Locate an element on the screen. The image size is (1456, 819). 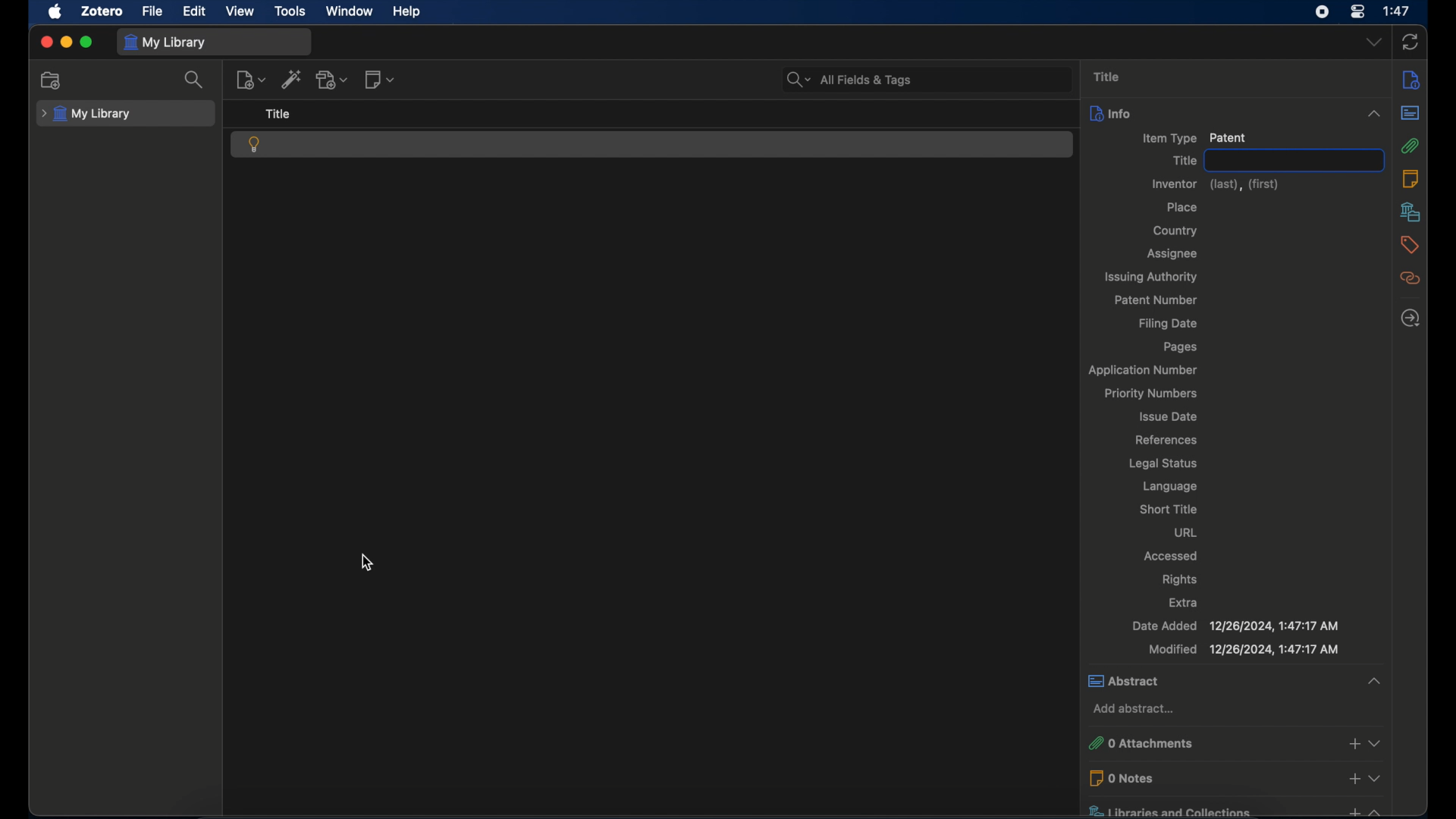
attachmnents is located at coordinates (1410, 146).